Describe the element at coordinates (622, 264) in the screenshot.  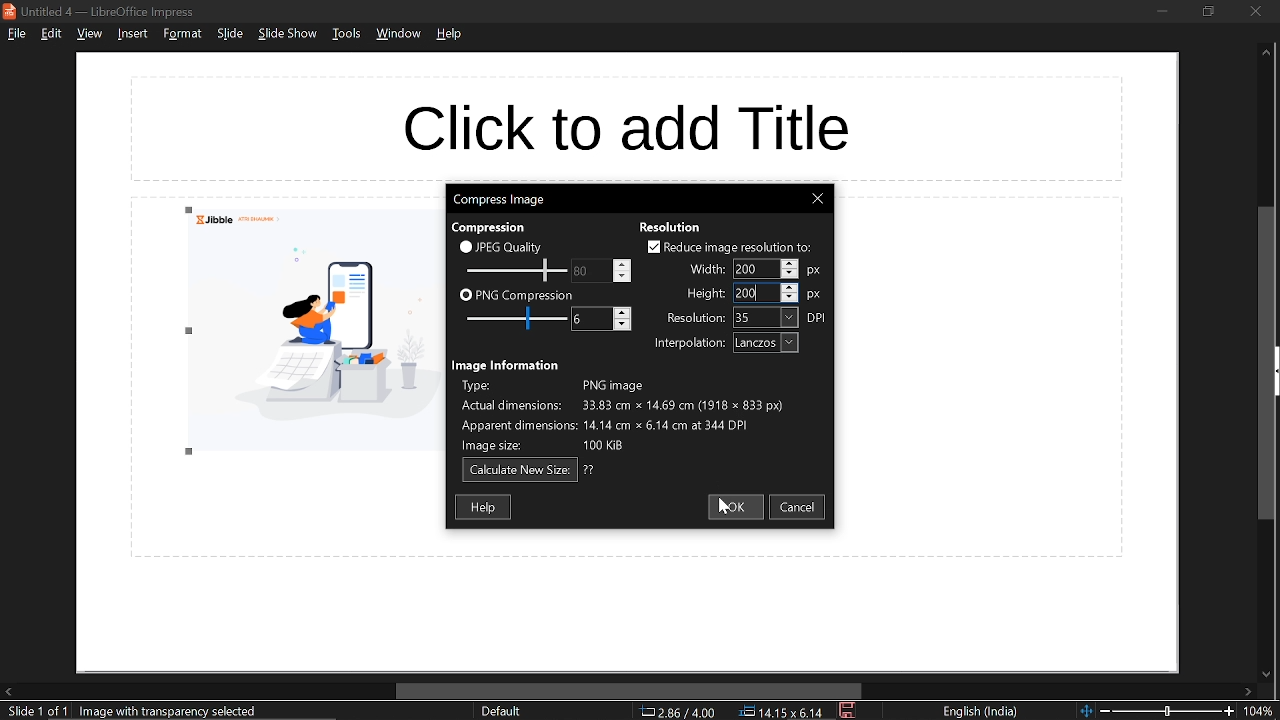
I see `increase jpeg quality` at that location.